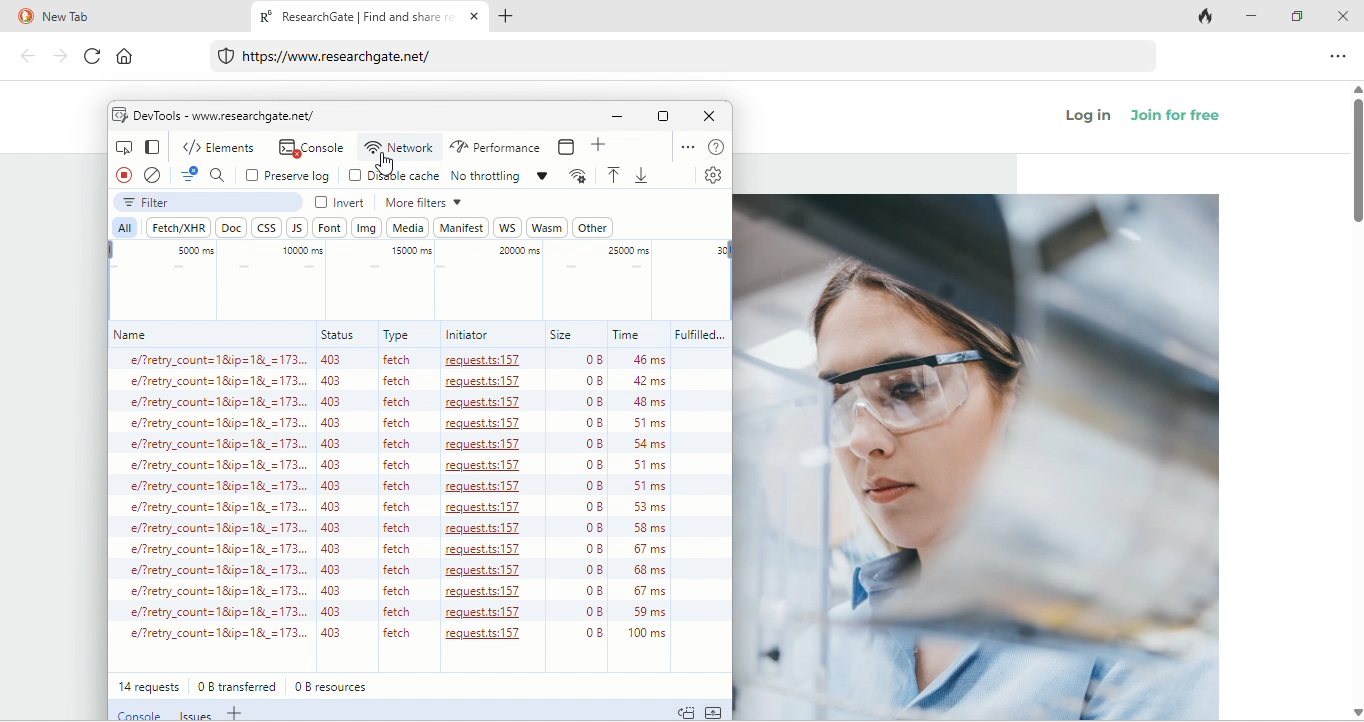 Image resolution: width=1364 pixels, height=722 pixels. I want to click on elements, so click(221, 145).